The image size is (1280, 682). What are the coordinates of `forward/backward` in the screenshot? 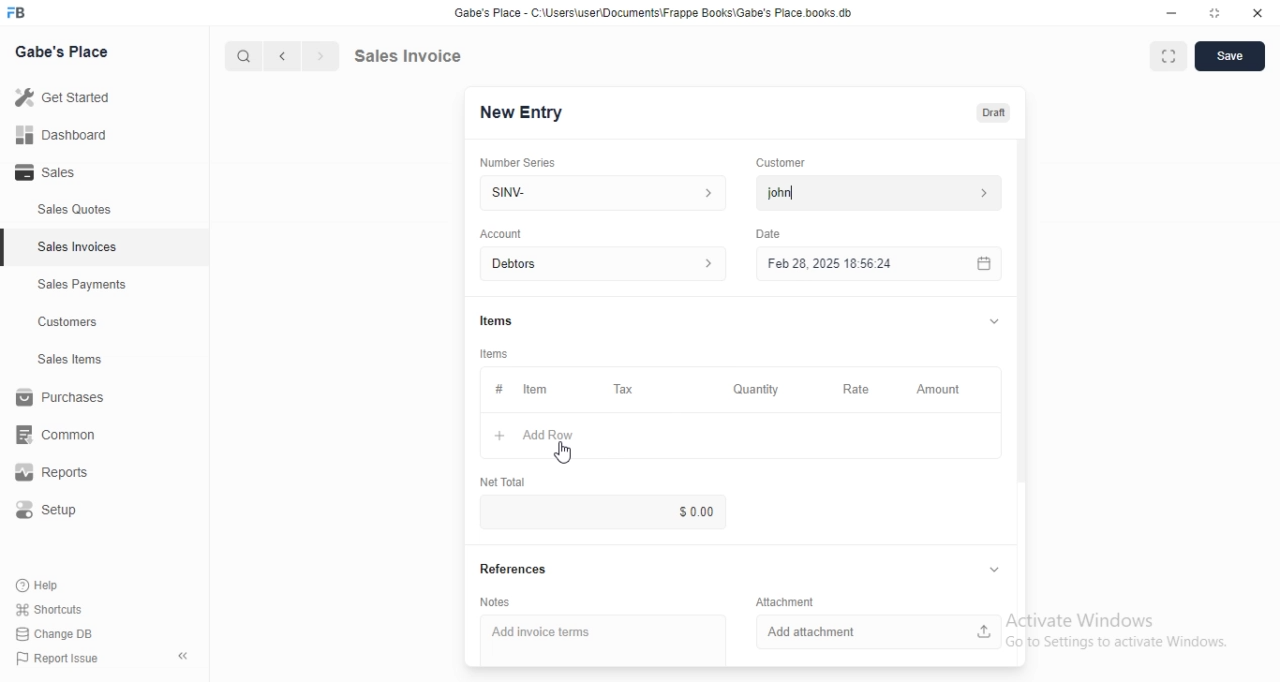 It's located at (300, 56).